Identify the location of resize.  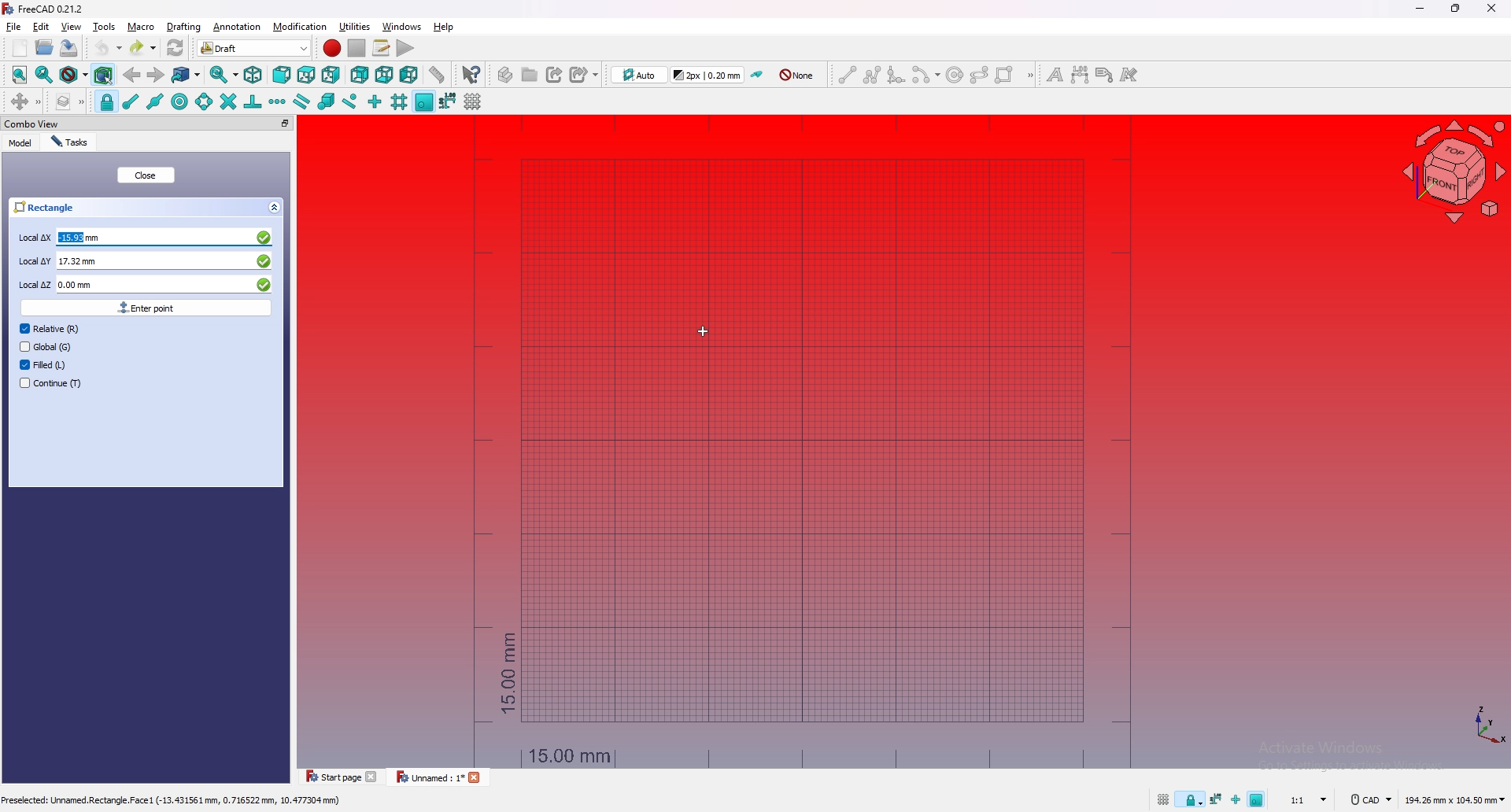
(1455, 9).